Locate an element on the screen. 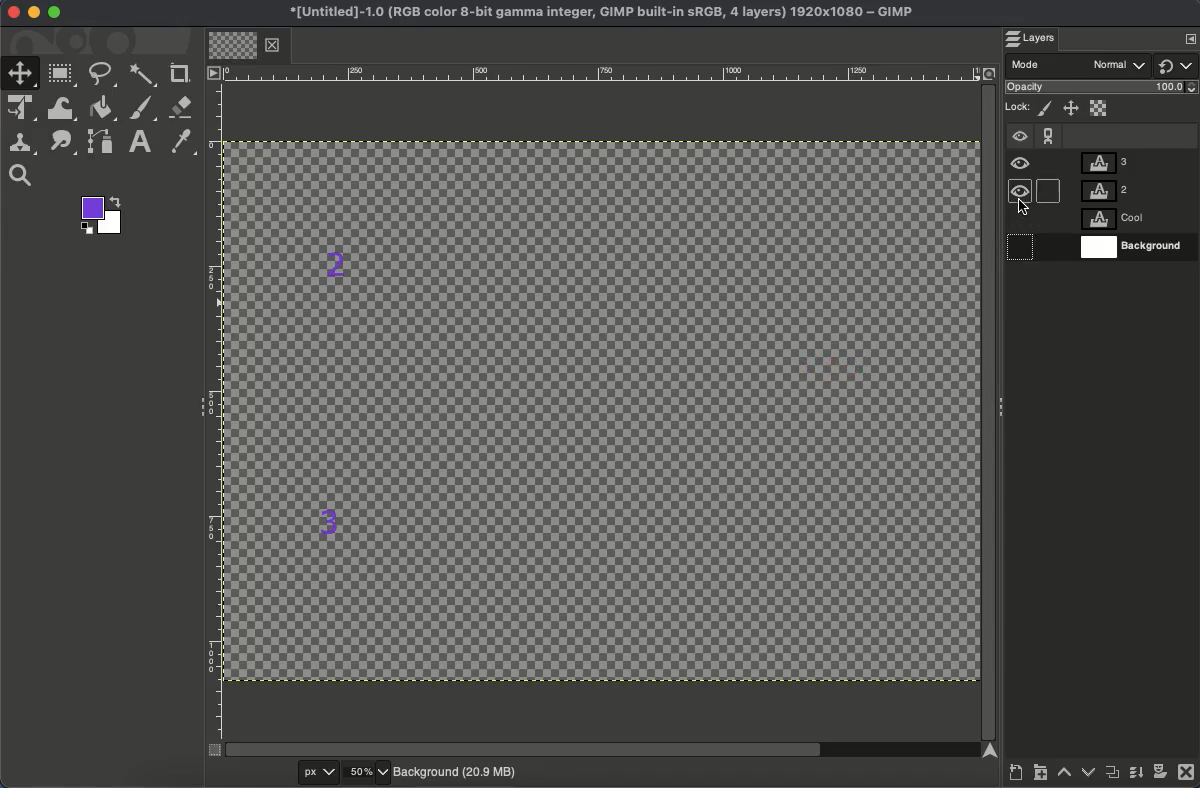  Opacity is located at coordinates (1104, 89).